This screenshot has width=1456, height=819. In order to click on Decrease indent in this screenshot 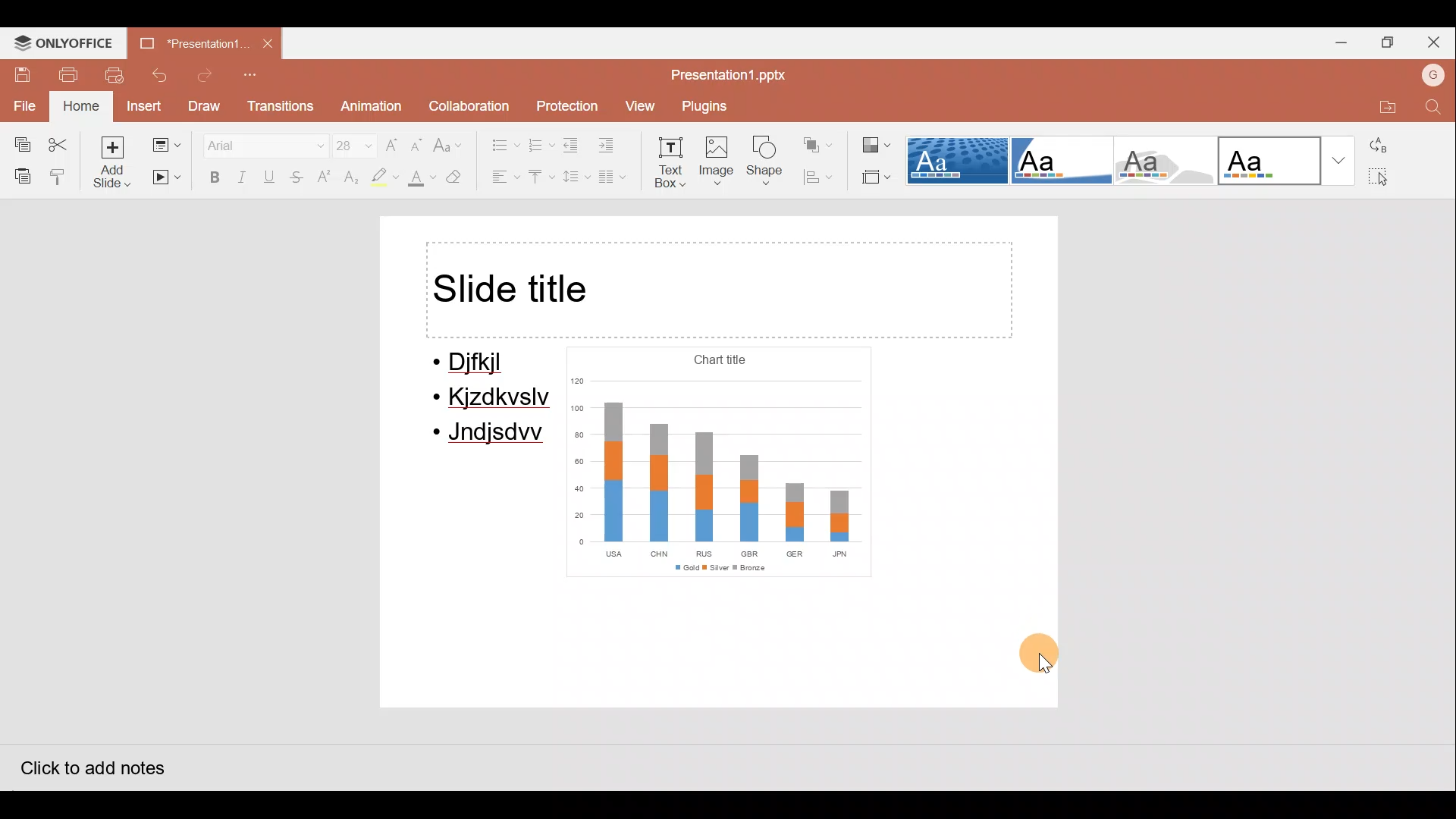, I will do `click(570, 145)`.